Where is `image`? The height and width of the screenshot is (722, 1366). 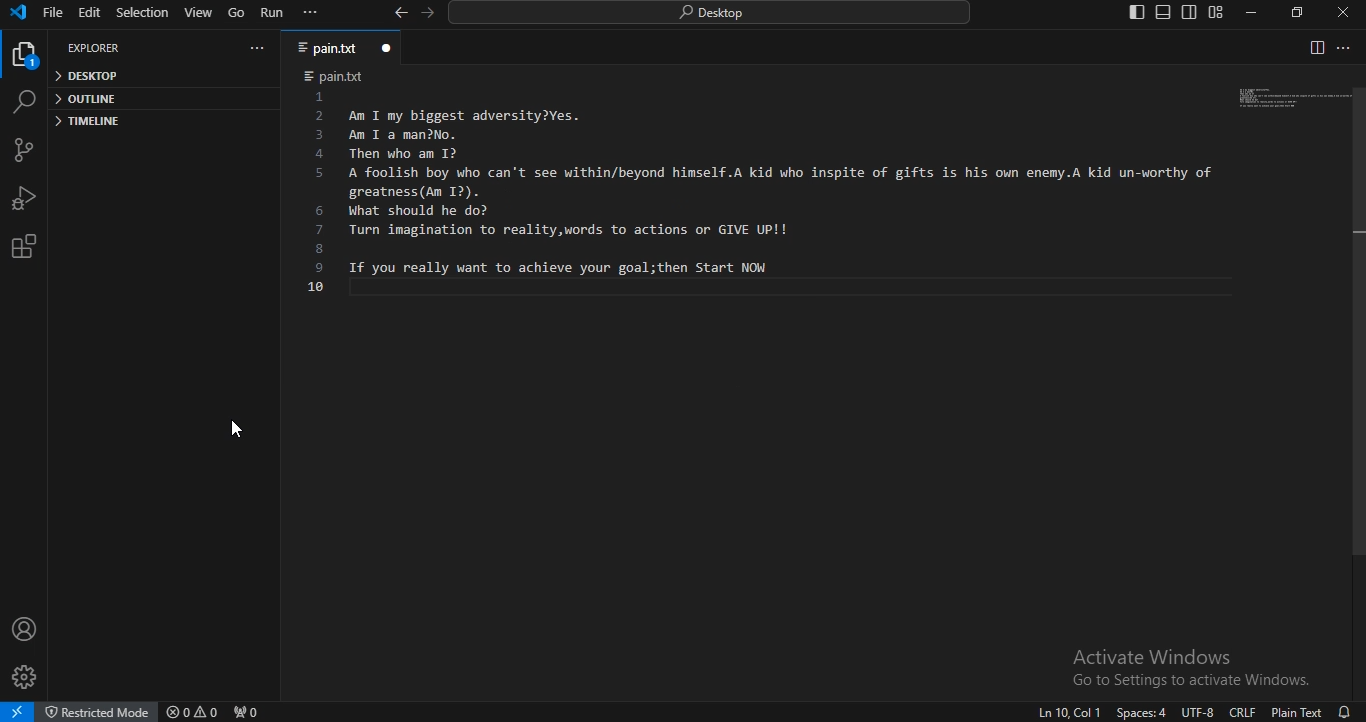 image is located at coordinates (1290, 100).